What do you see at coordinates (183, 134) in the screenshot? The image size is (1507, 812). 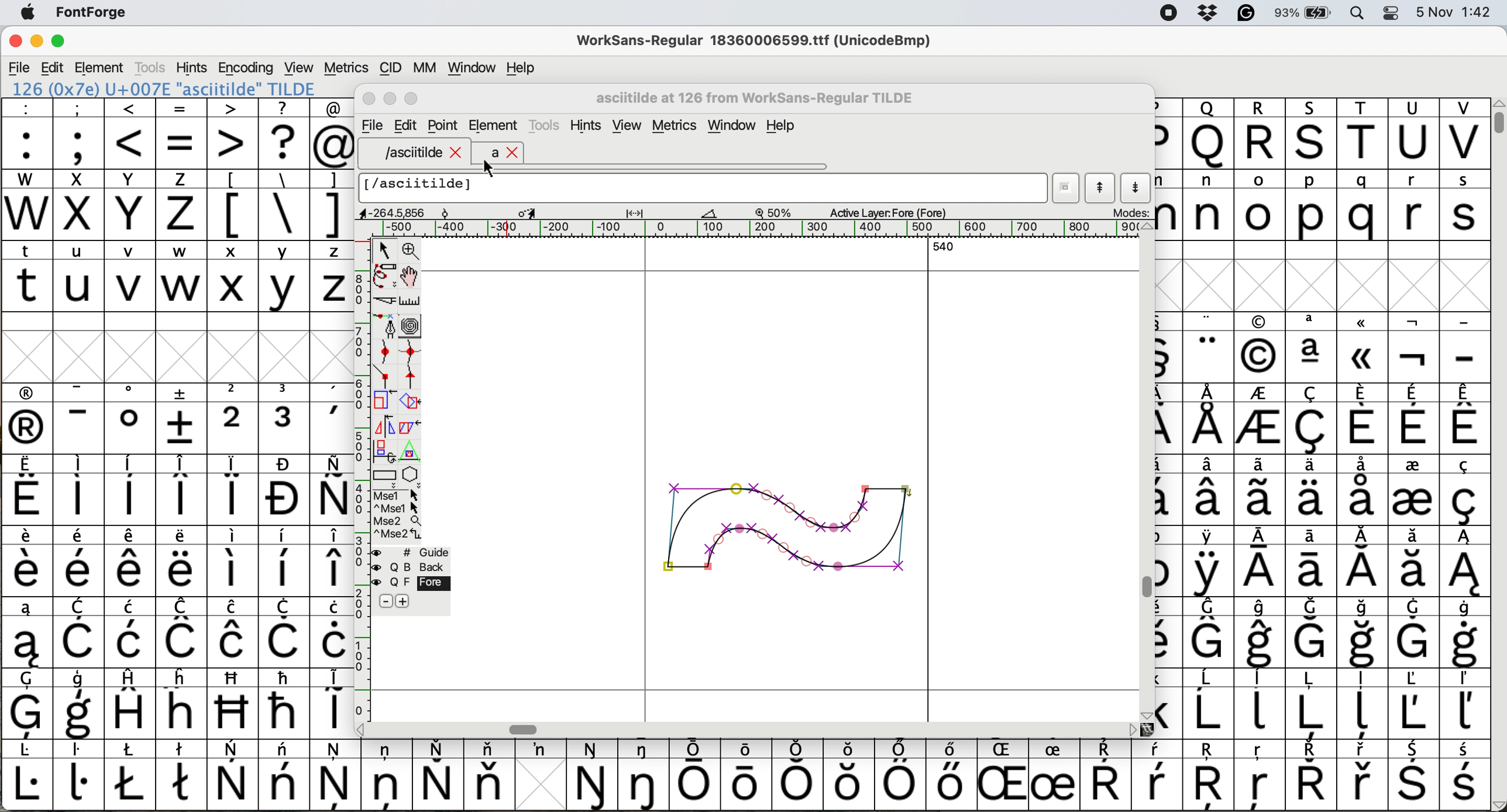 I see `=` at bounding box center [183, 134].